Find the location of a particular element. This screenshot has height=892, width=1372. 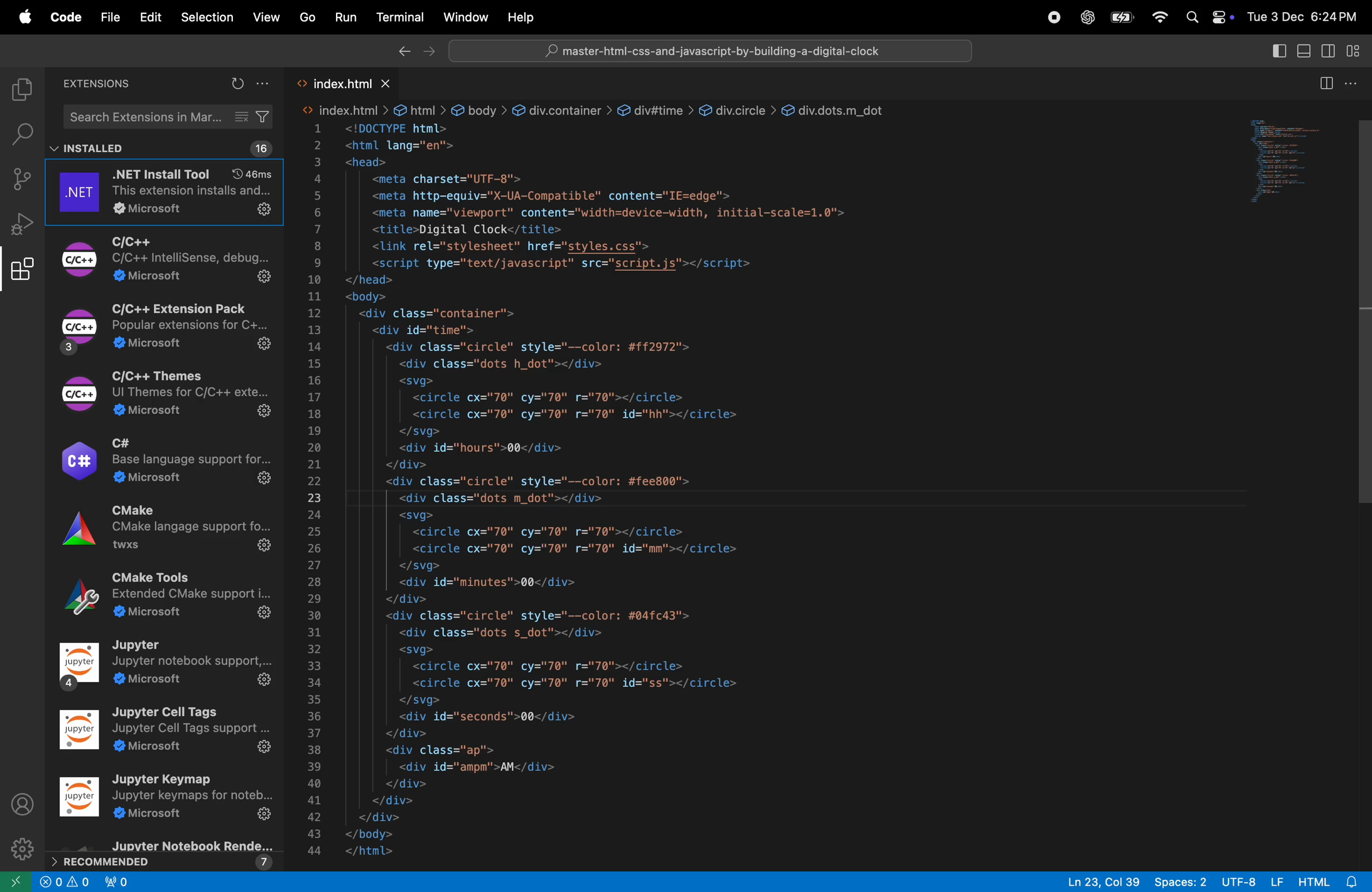

run is located at coordinates (346, 17).